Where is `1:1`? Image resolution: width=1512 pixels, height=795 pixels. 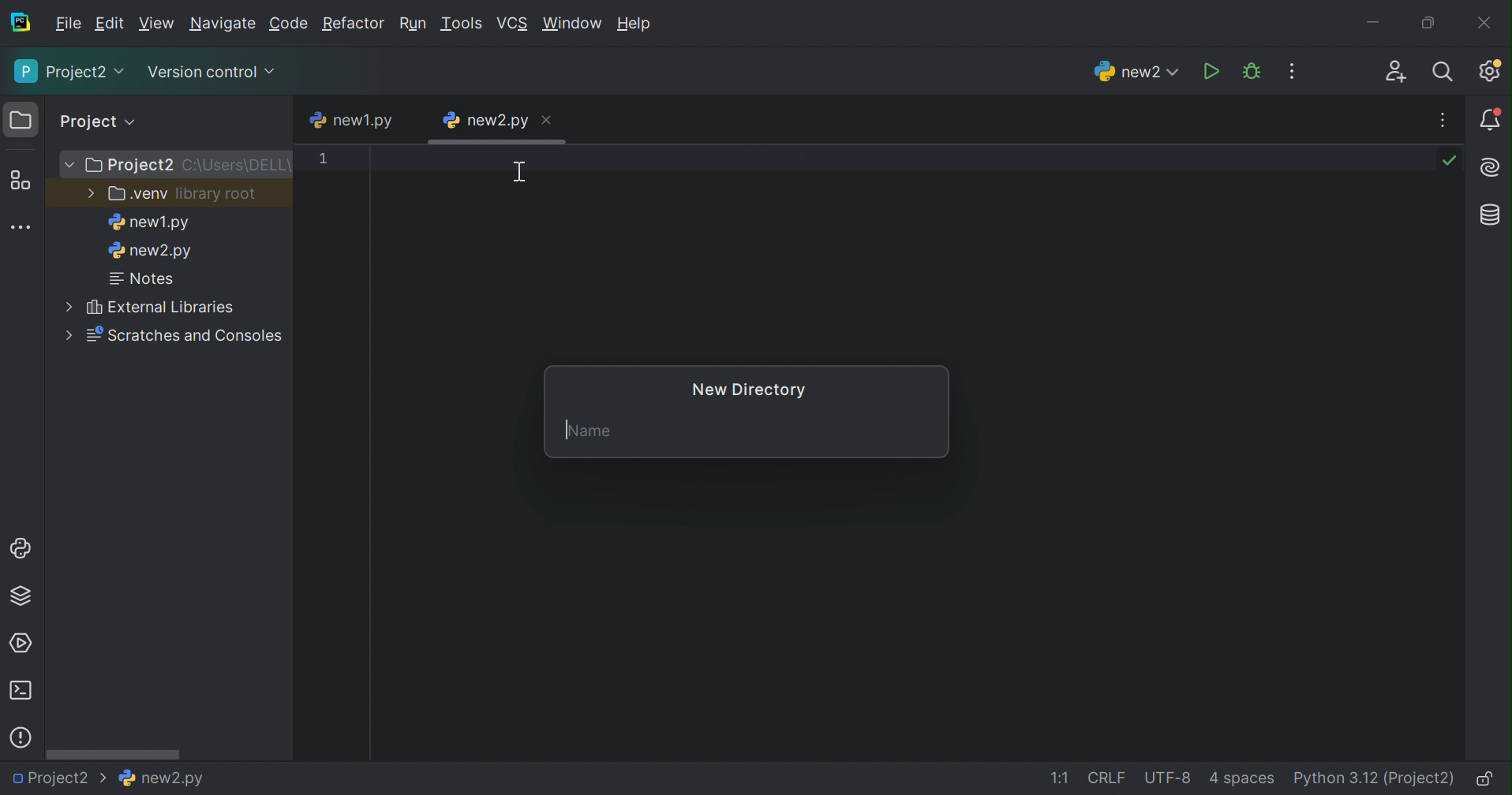
1:1 is located at coordinates (1057, 778).